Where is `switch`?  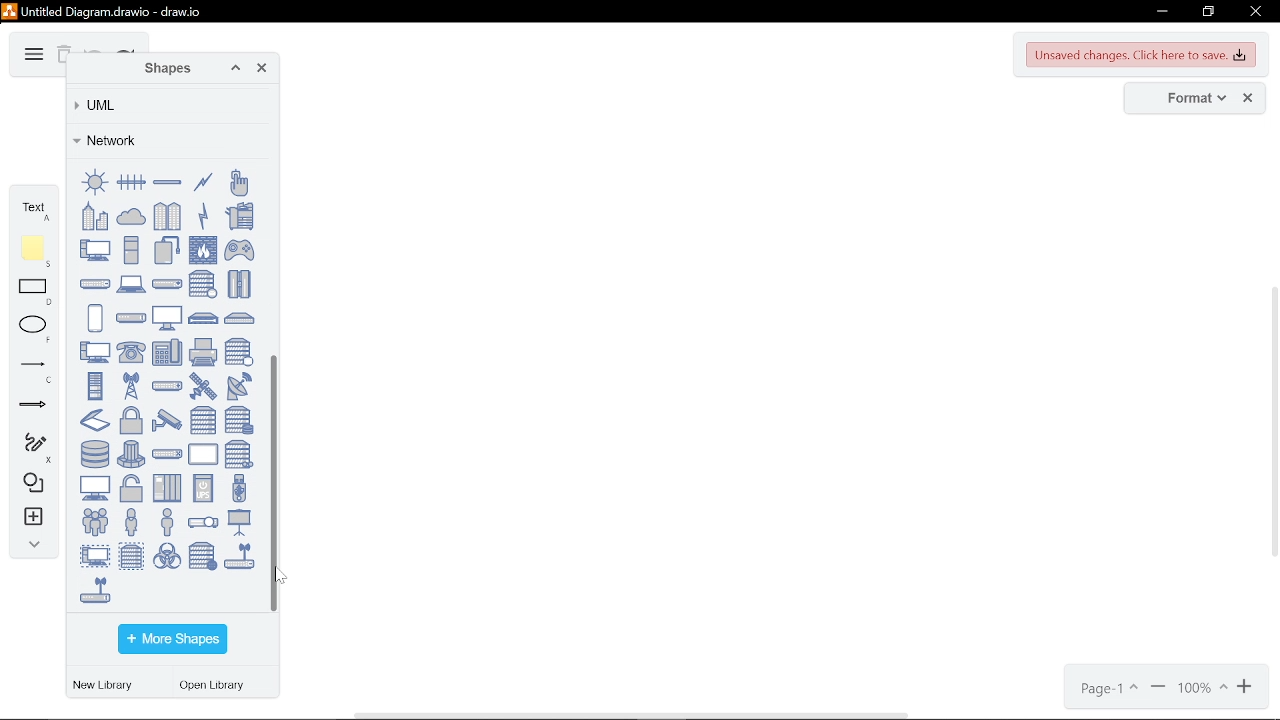
switch is located at coordinates (167, 454).